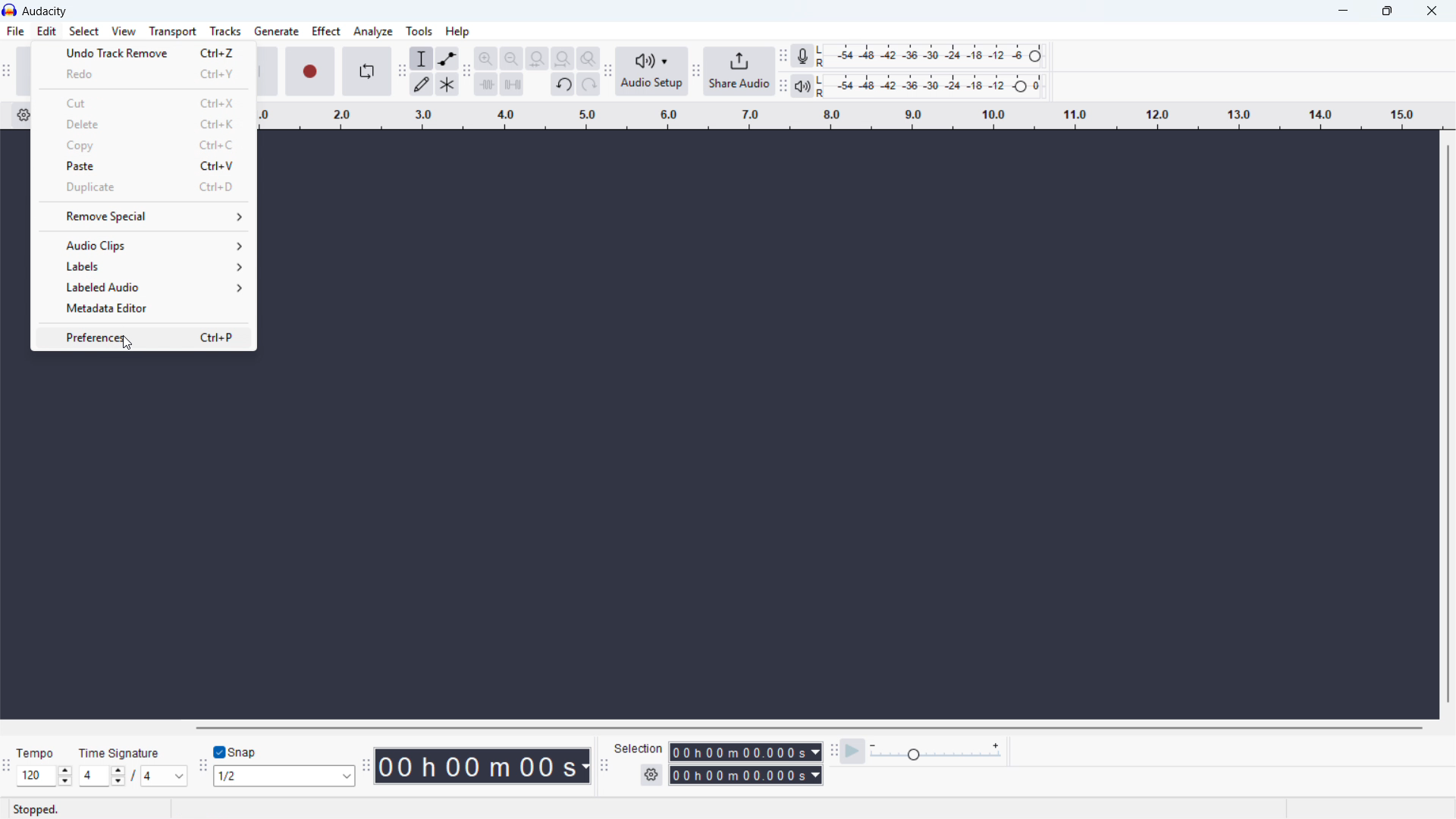  What do you see at coordinates (143, 188) in the screenshot?
I see `duplicate` at bounding box center [143, 188].